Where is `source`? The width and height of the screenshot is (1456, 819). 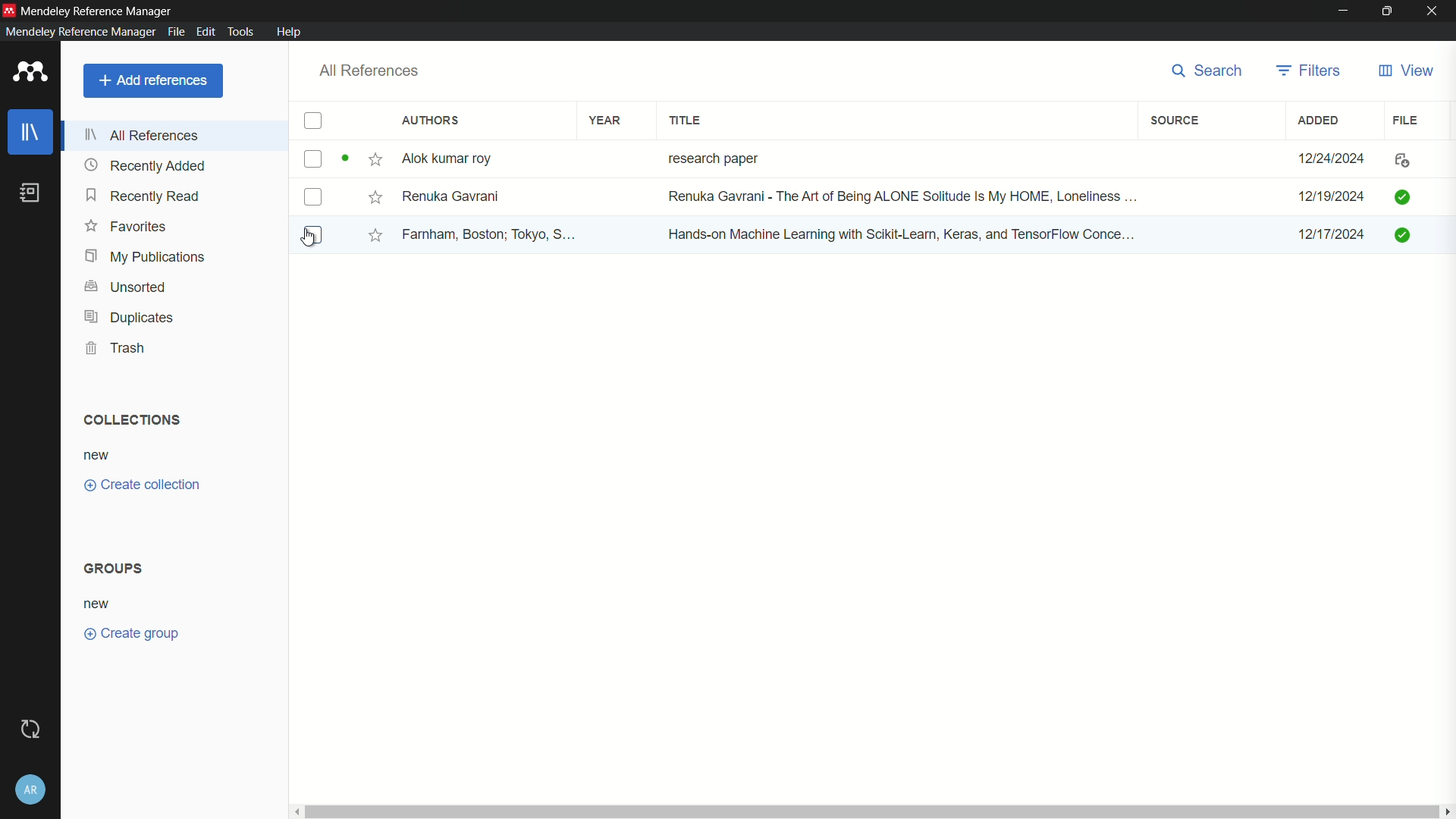 source is located at coordinates (1177, 121).